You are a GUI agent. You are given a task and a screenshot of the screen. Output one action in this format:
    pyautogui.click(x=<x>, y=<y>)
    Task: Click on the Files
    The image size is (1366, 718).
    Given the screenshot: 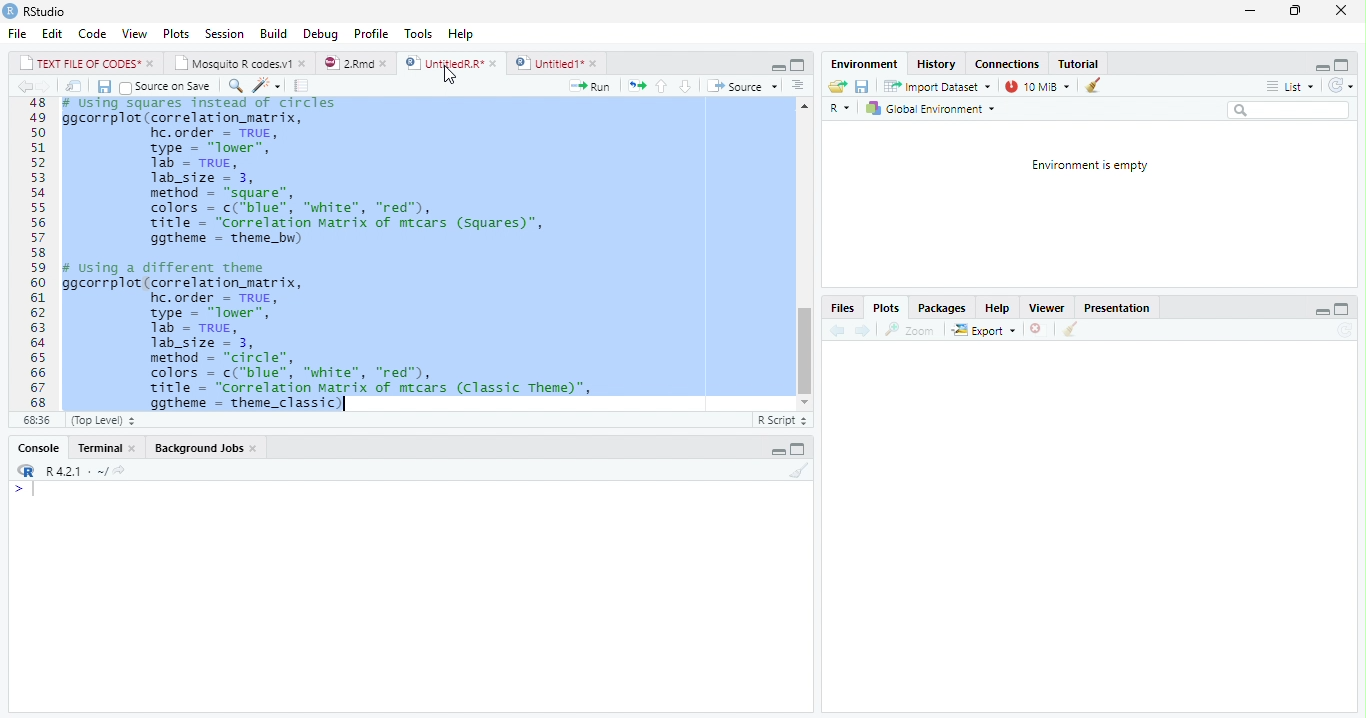 What is the action you would take?
    pyautogui.click(x=842, y=307)
    